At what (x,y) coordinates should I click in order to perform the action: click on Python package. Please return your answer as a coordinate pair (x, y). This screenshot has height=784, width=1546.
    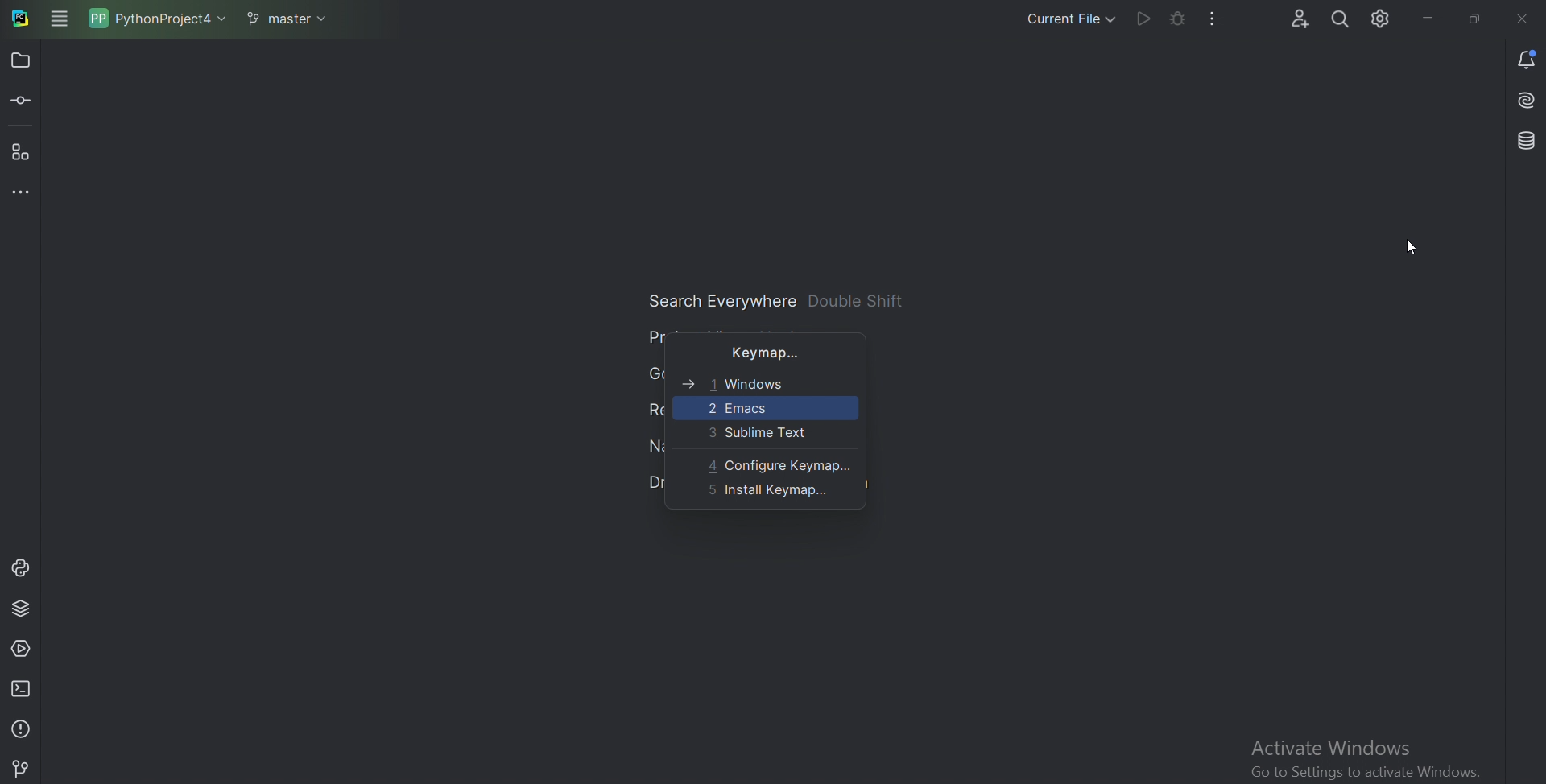
    Looking at the image, I should click on (23, 607).